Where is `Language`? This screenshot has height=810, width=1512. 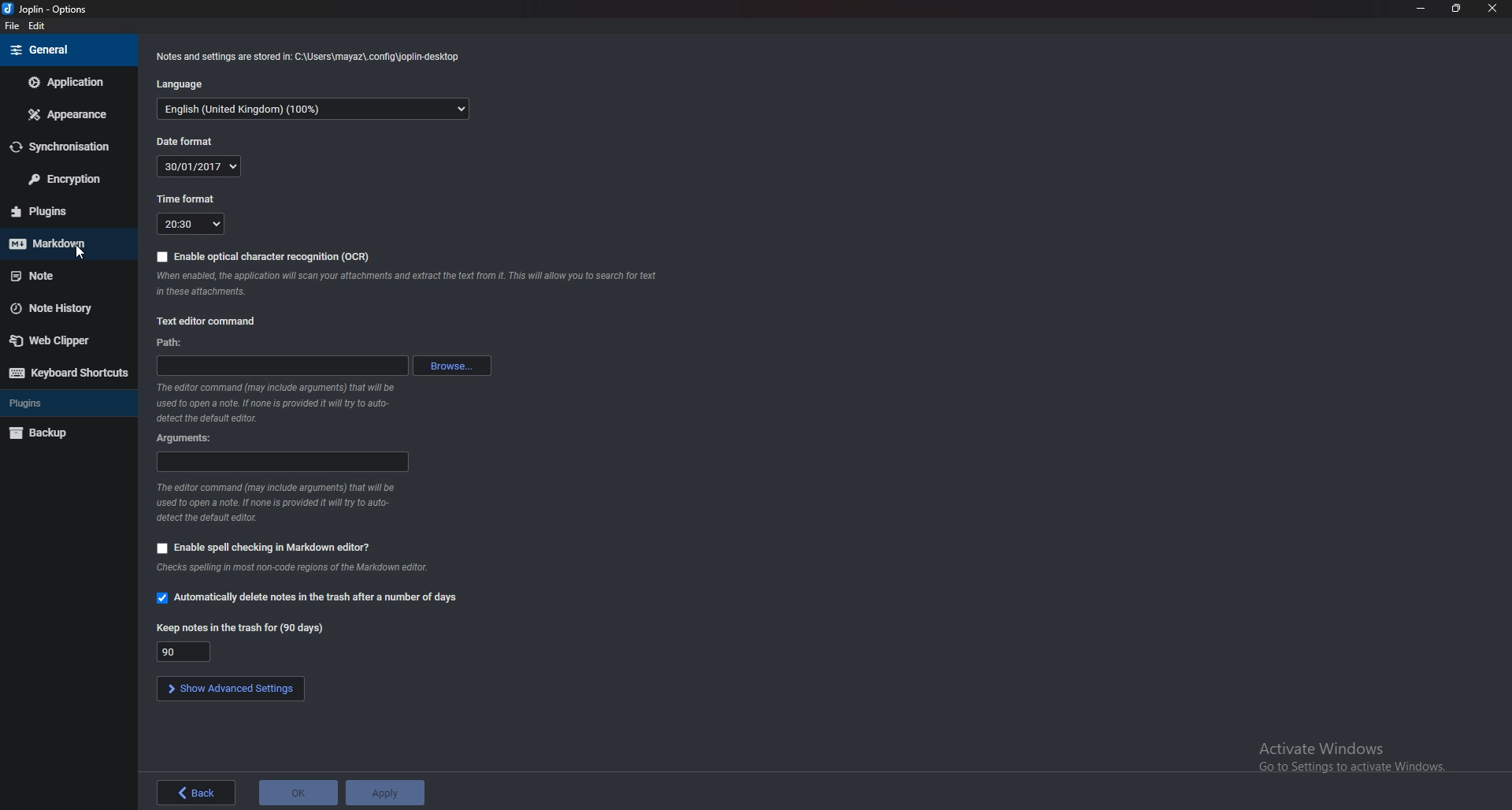
Language is located at coordinates (319, 110).